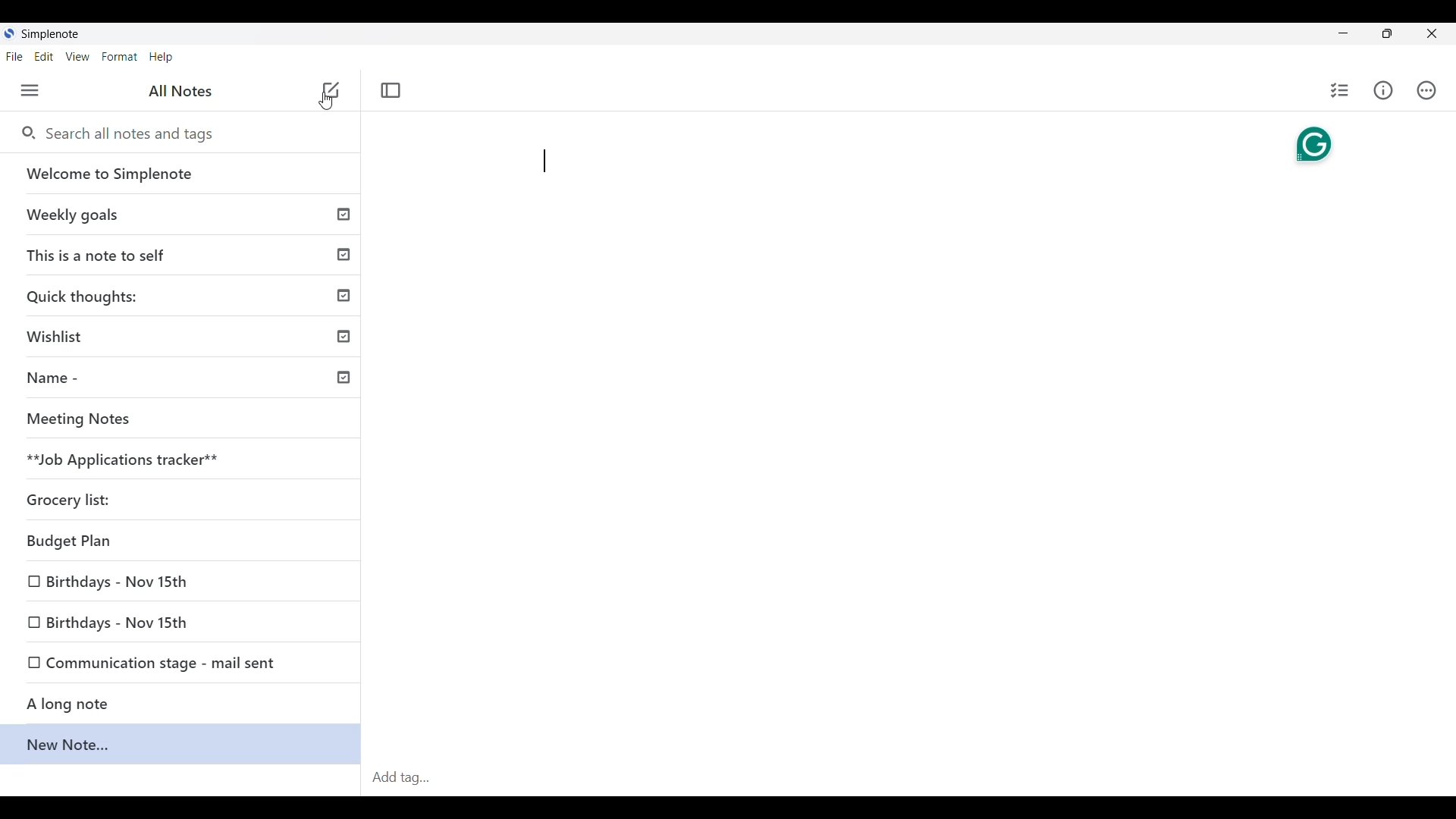  I want to click on Search all notes and tags, so click(136, 134).